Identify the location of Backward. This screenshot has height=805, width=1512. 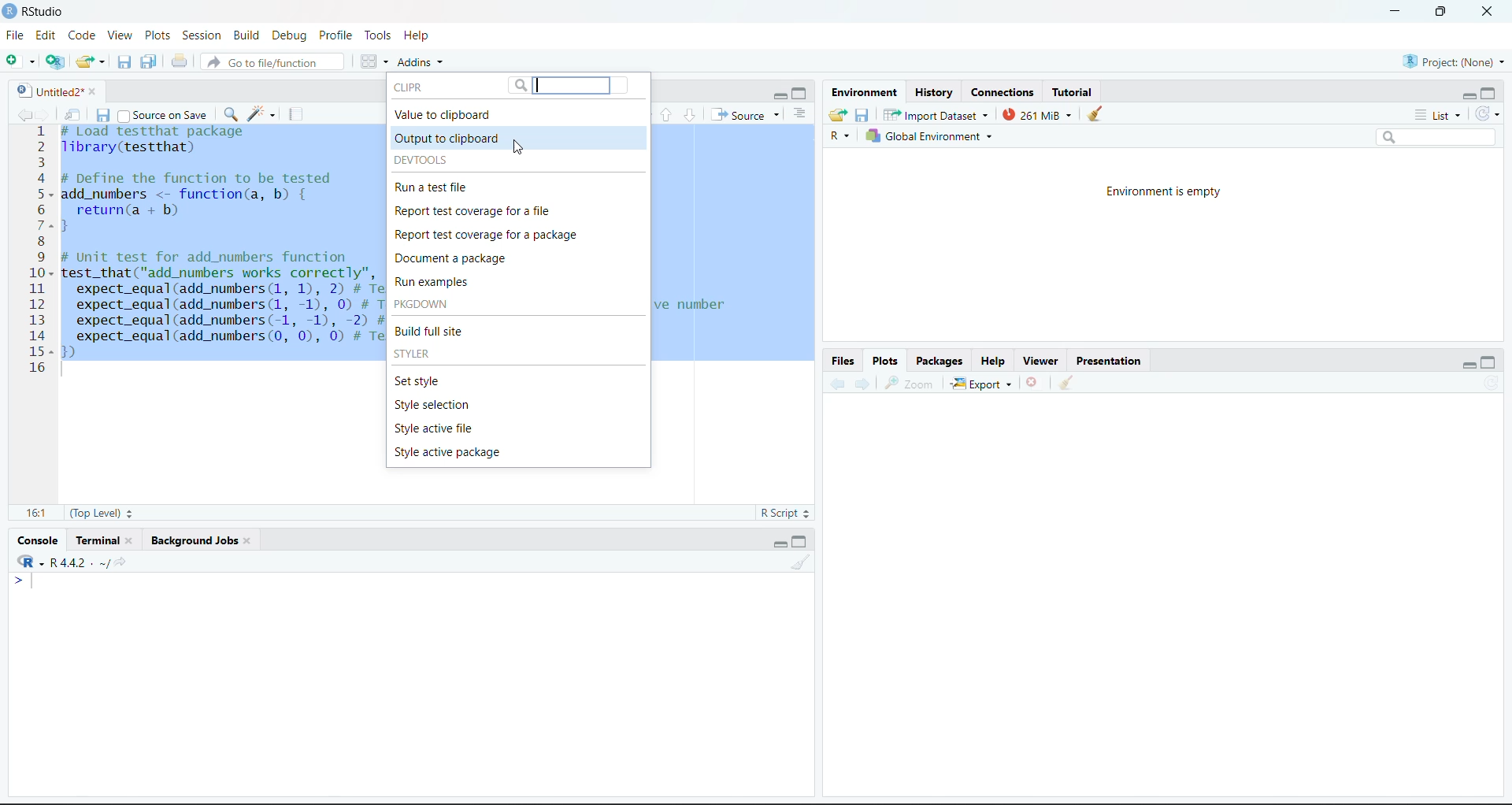
(836, 382).